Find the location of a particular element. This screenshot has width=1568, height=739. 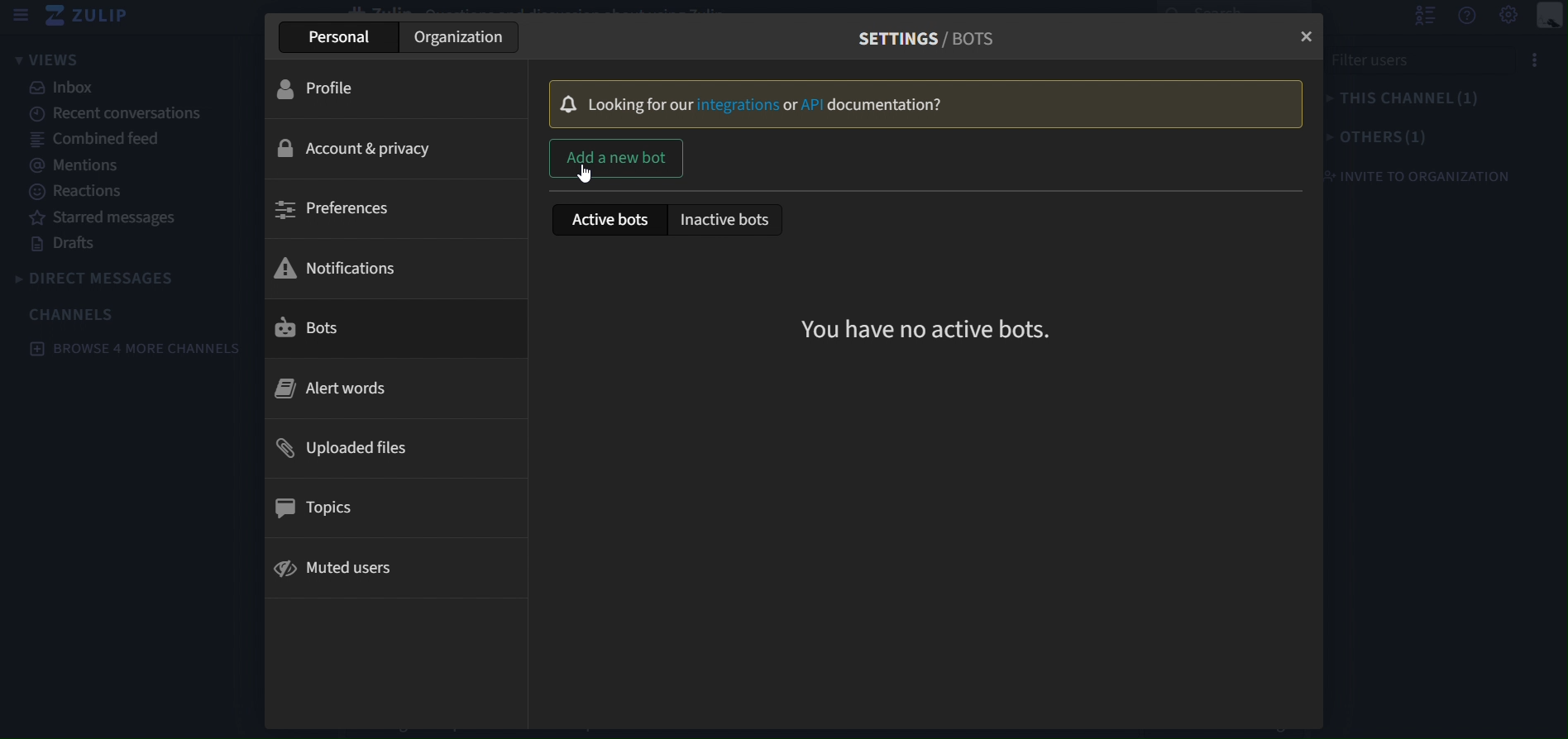

inactive bot is located at coordinates (729, 220).